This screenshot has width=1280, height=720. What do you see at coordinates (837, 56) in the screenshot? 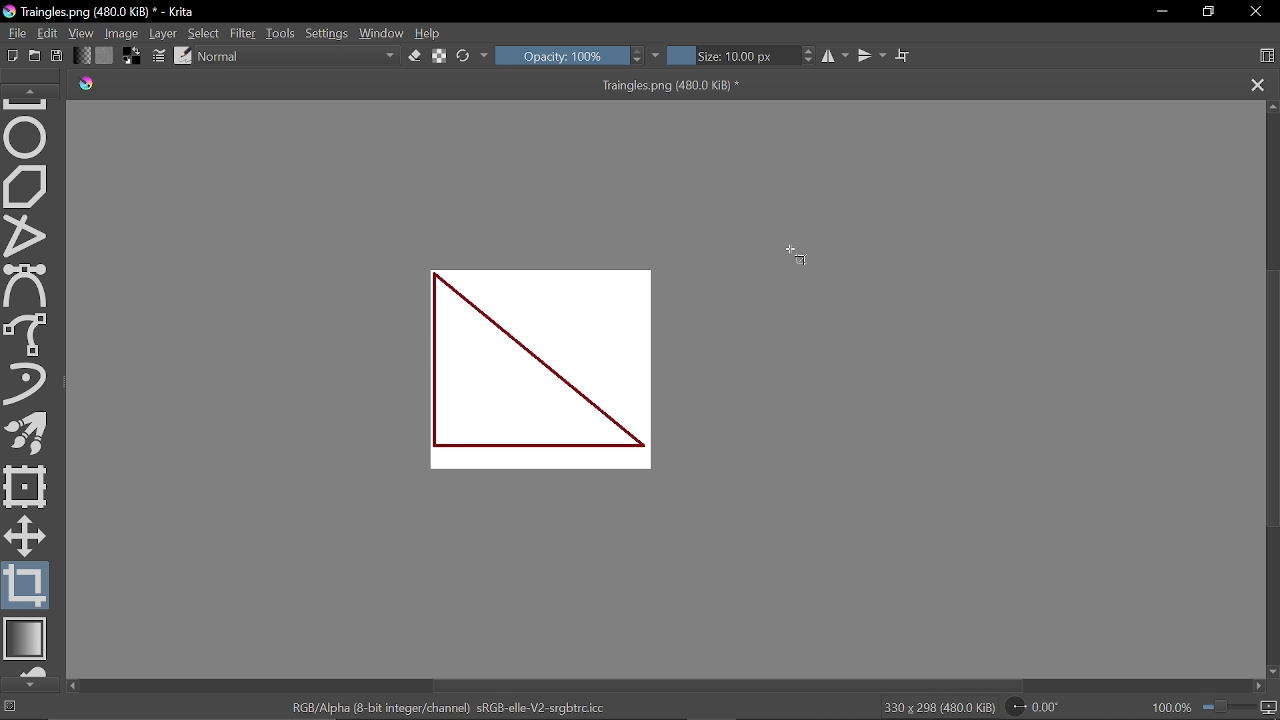
I see `Horizontal mirror tool` at bounding box center [837, 56].